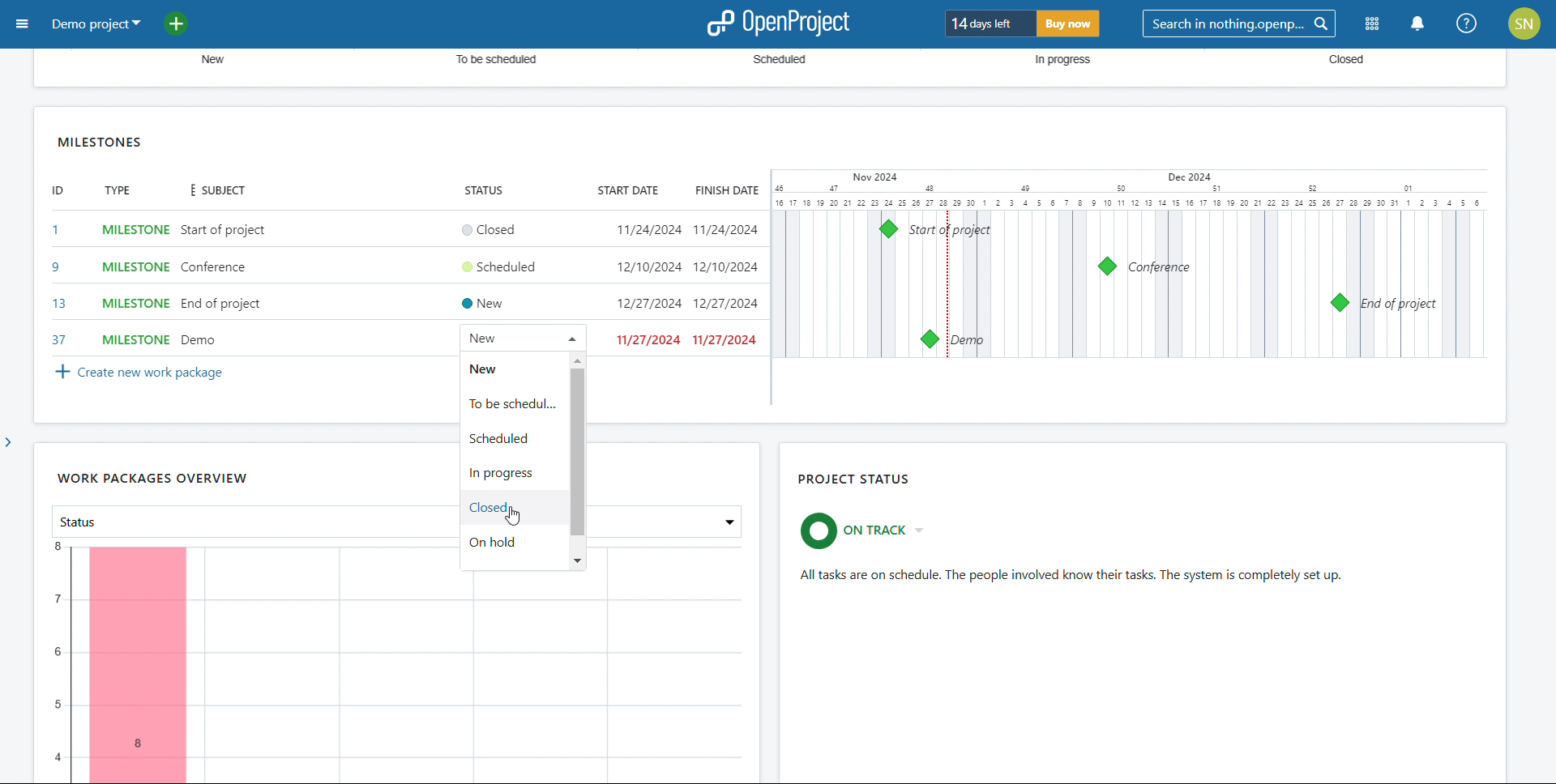 The width and height of the screenshot is (1556, 784). What do you see at coordinates (489, 62) in the screenshot?
I see `To be scheduled` at bounding box center [489, 62].